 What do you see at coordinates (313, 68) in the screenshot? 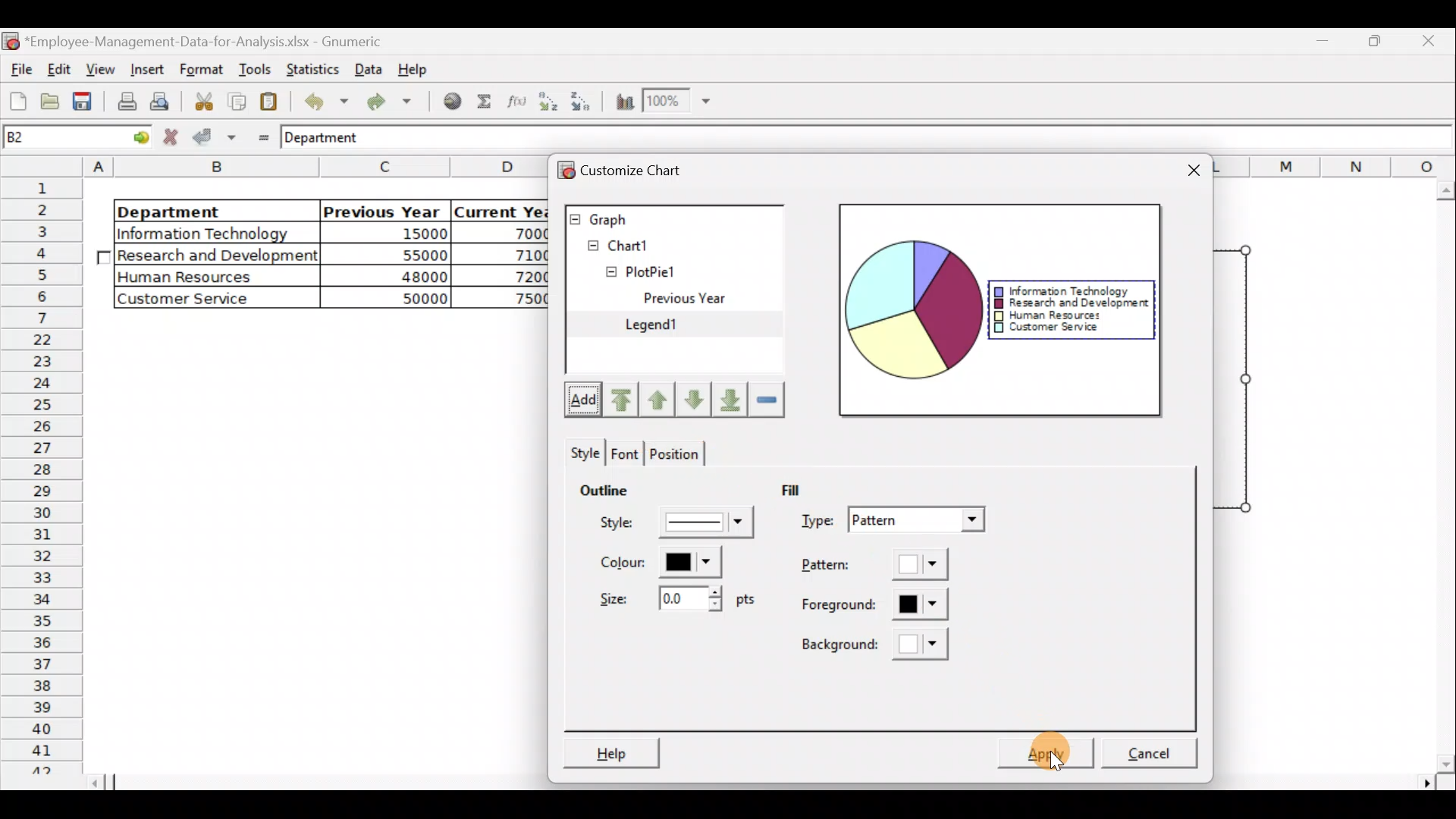
I see `Statistics` at bounding box center [313, 68].